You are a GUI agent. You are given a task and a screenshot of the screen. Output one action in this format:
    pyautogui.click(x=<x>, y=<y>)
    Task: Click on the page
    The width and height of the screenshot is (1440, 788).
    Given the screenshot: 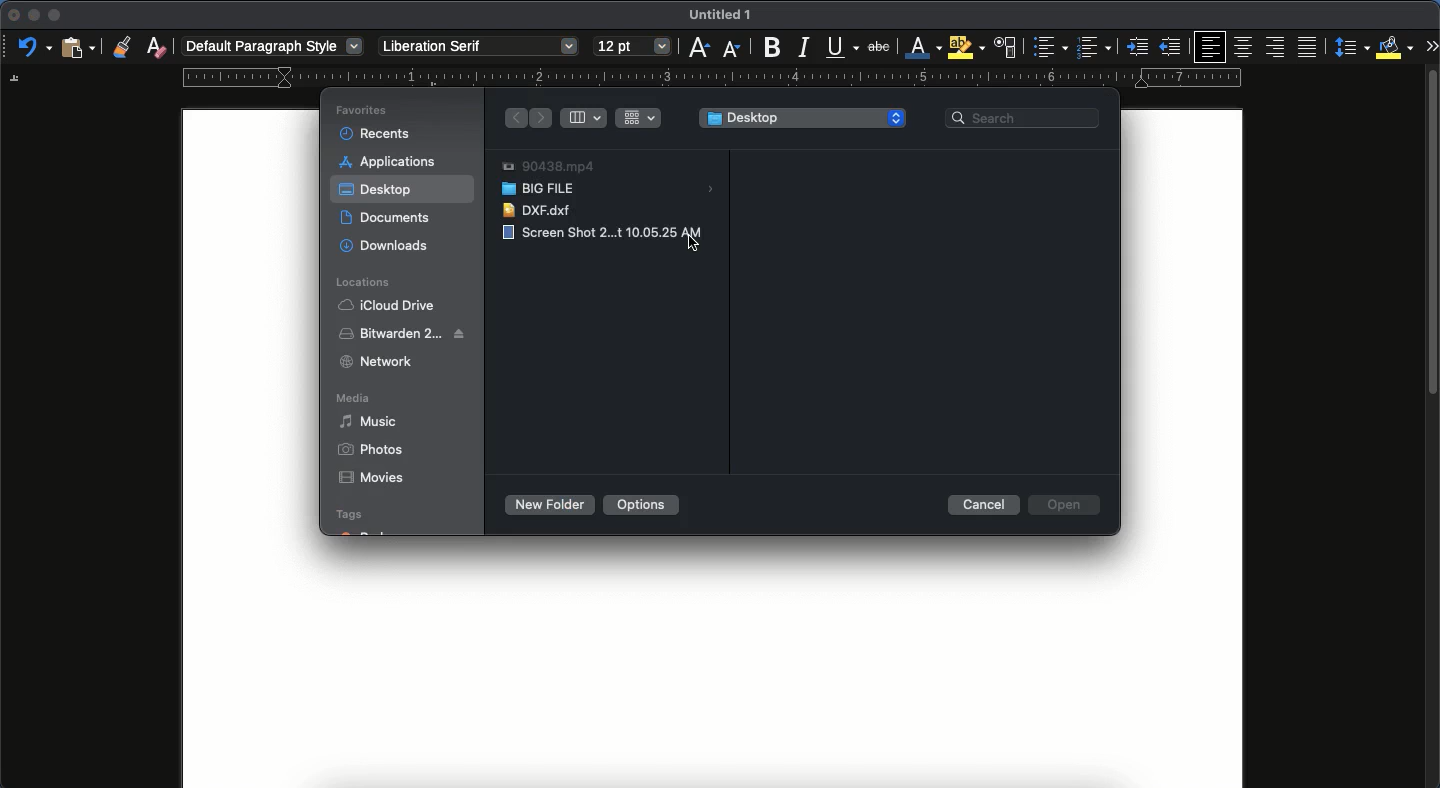 What is the action you would take?
    pyautogui.click(x=712, y=674)
    